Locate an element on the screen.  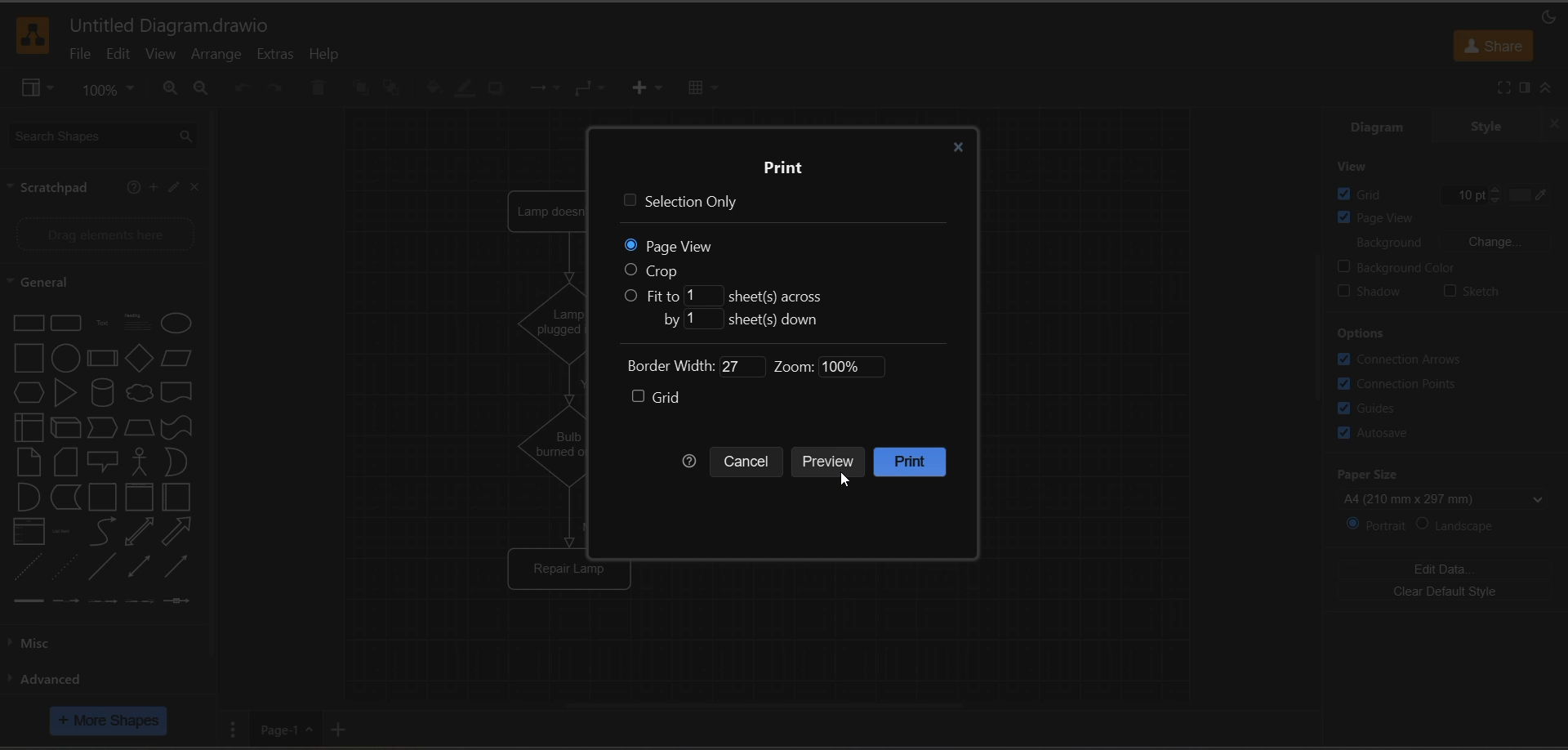
border width is located at coordinates (682, 367).